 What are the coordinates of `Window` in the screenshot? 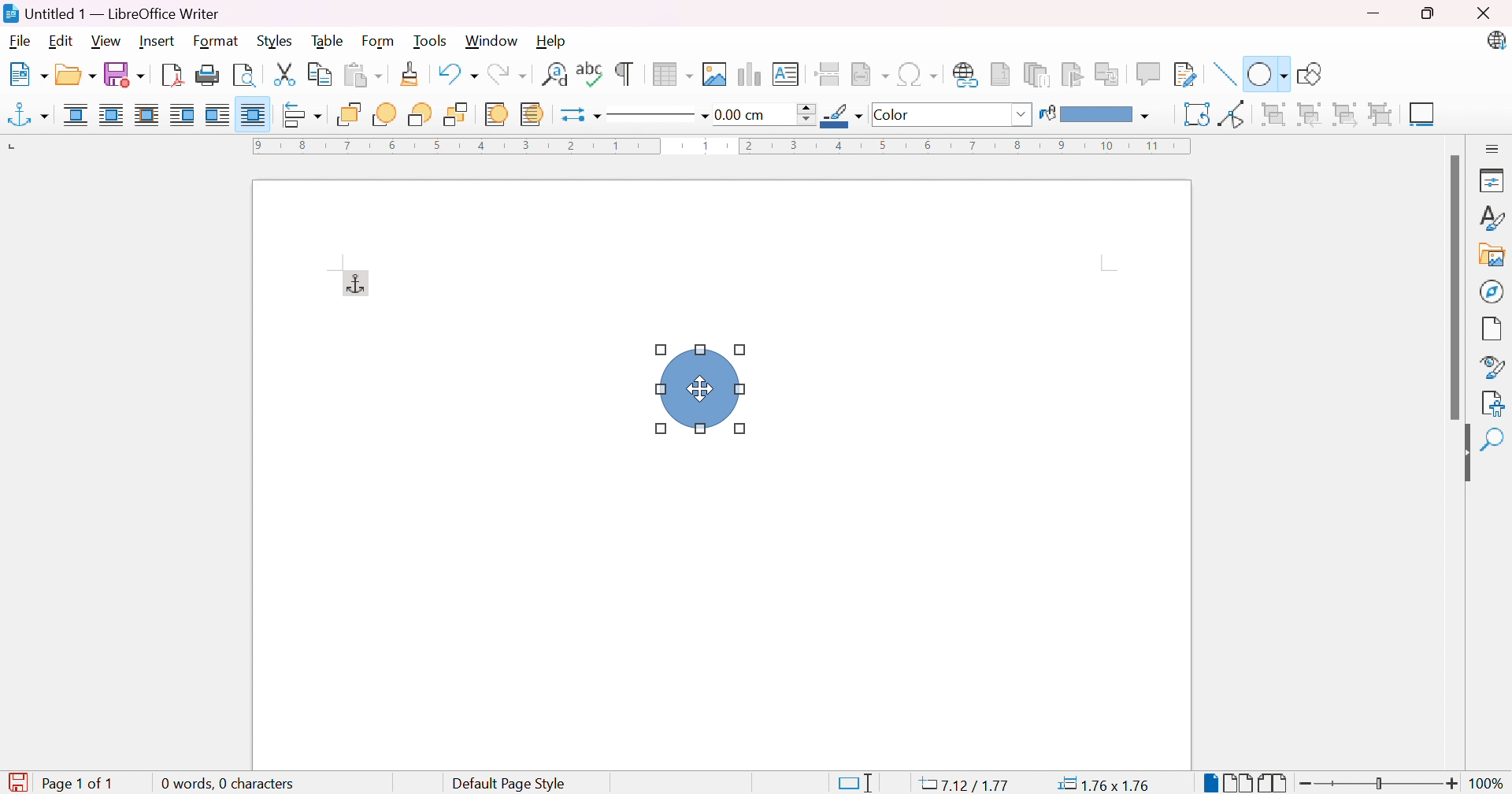 It's located at (491, 41).